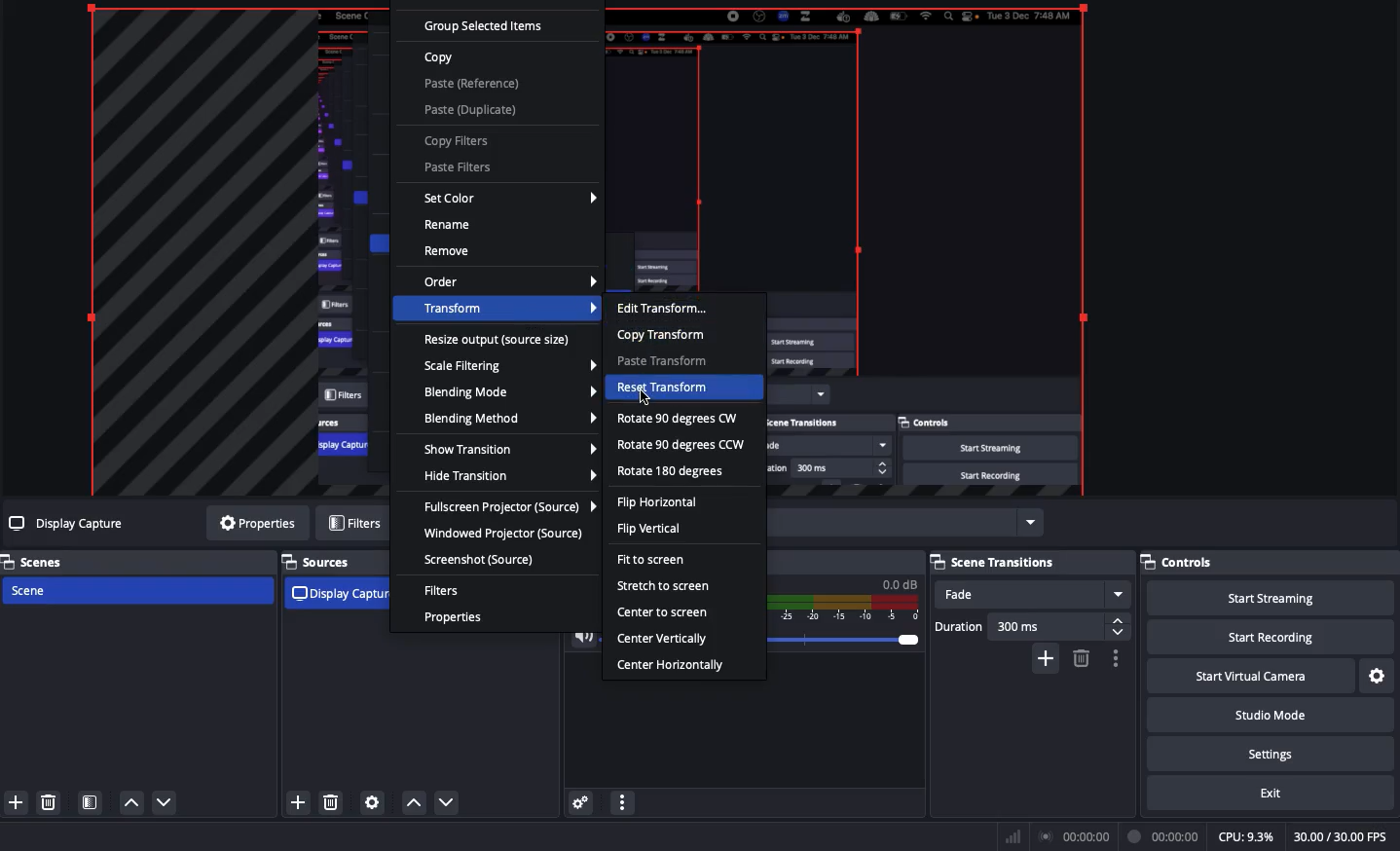 The width and height of the screenshot is (1400, 851). What do you see at coordinates (314, 561) in the screenshot?
I see `Sources` at bounding box center [314, 561].